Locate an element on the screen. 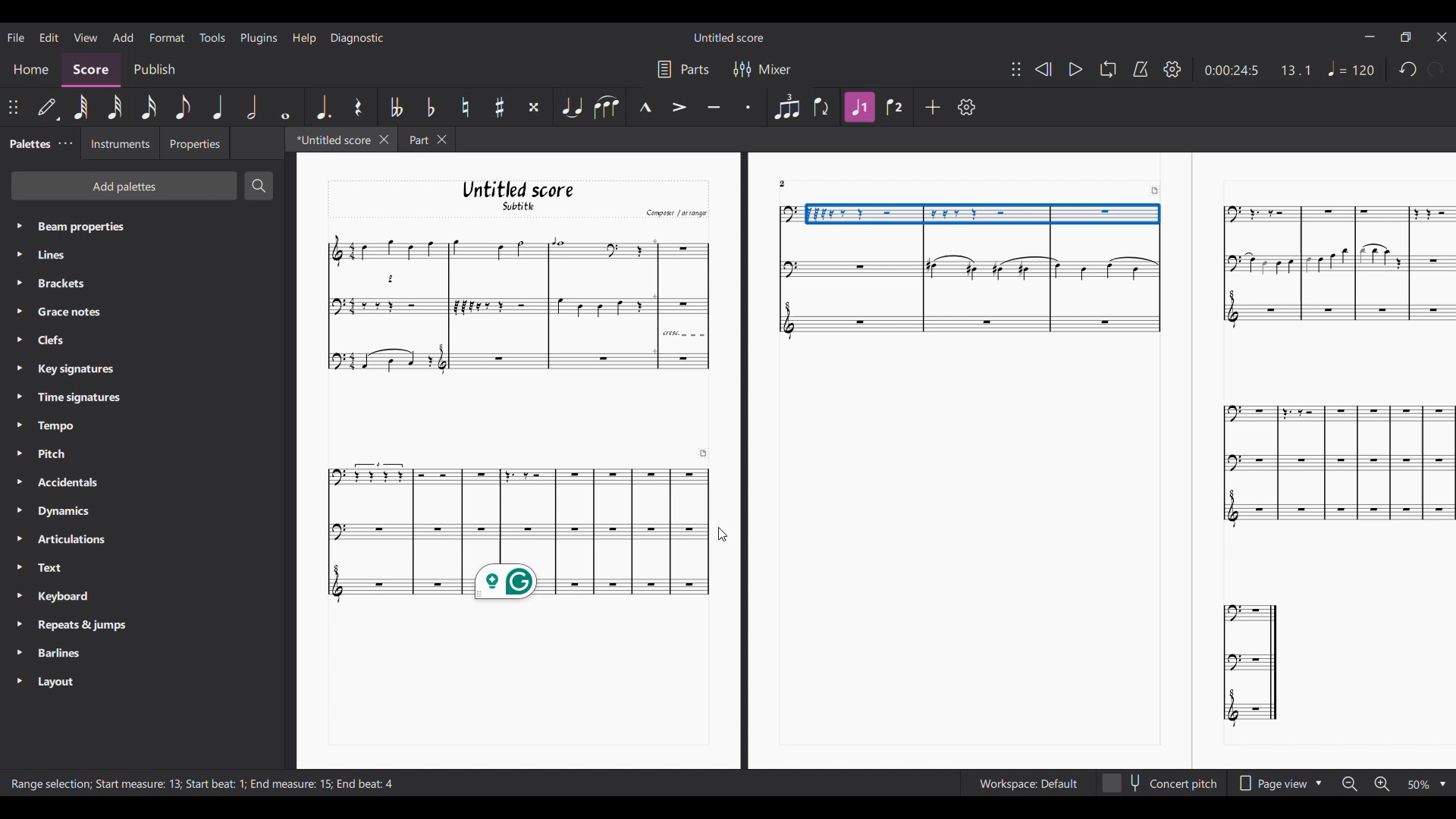 This screenshot has height=819, width=1456. Edit menu is located at coordinates (49, 37).